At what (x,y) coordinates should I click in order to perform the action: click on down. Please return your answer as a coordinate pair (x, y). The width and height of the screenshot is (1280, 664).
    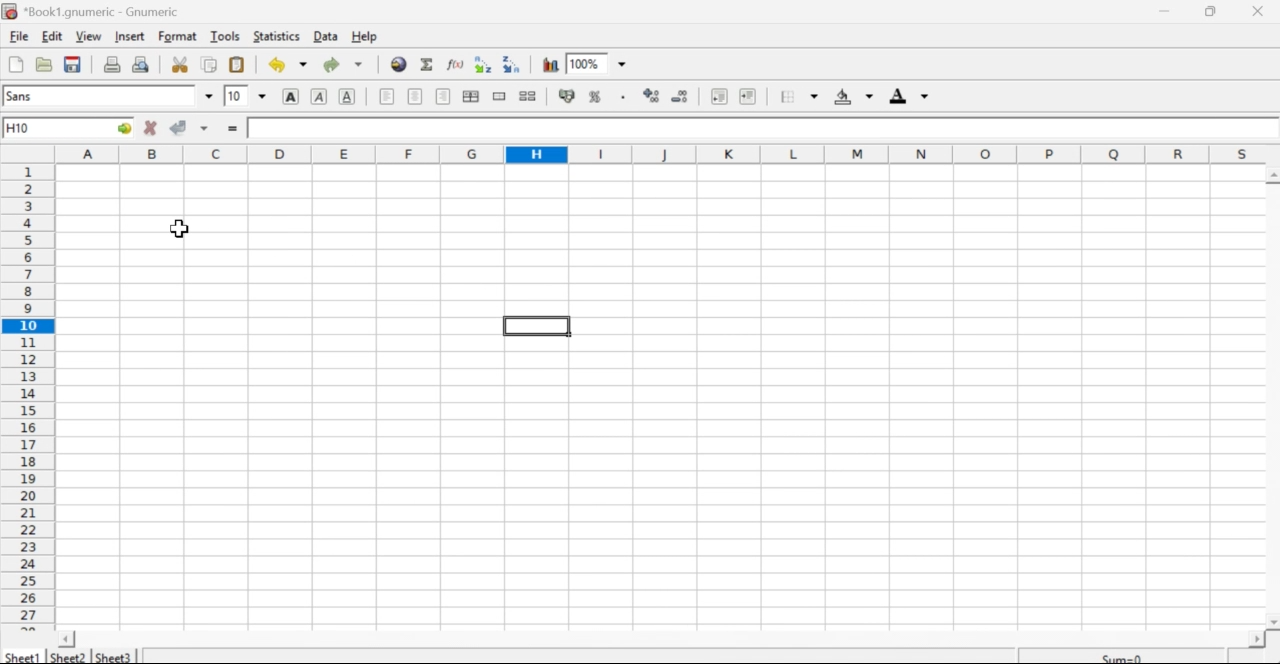
    Looking at the image, I should click on (264, 96).